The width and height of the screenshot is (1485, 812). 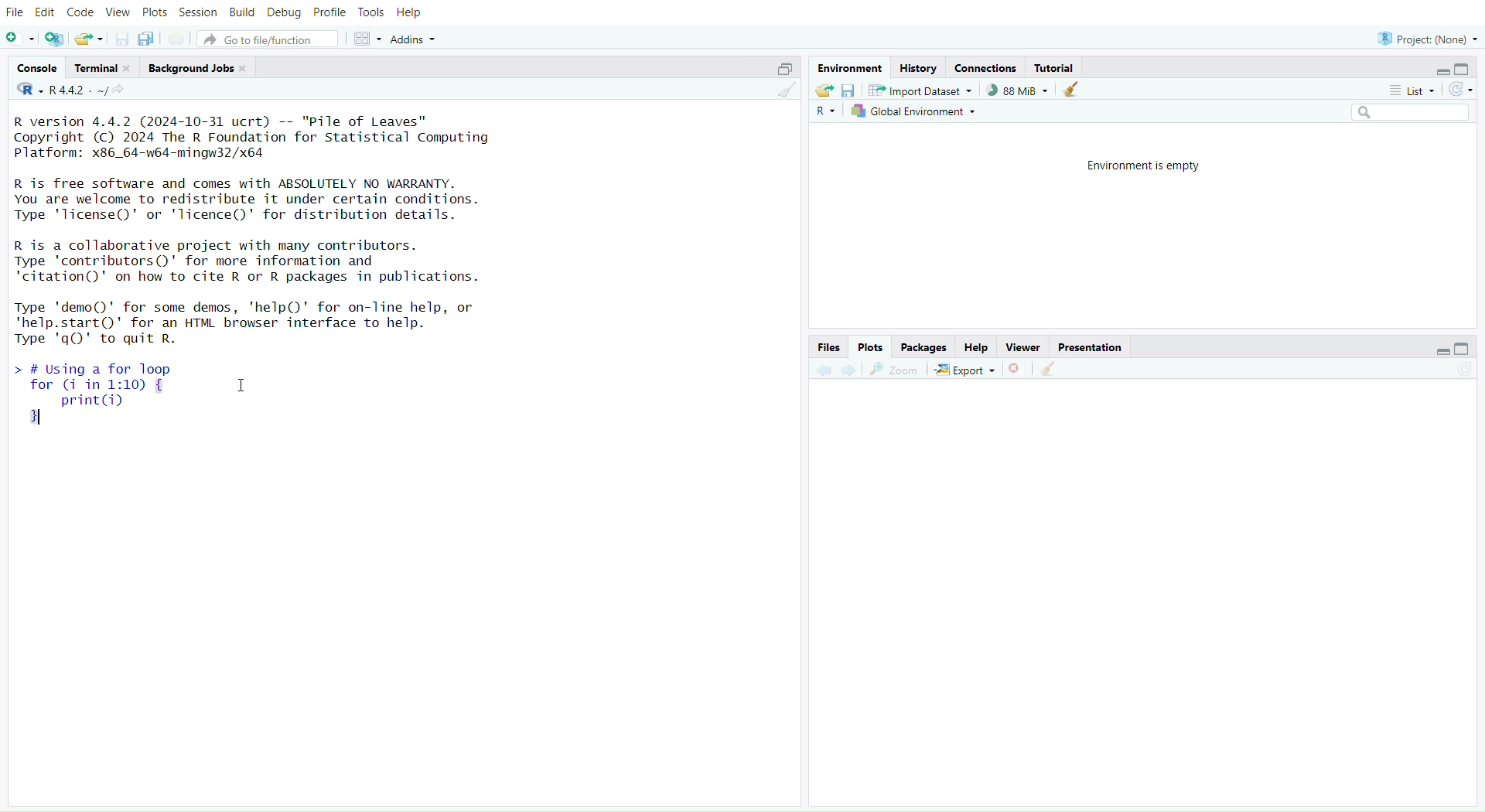 I want to click on profile, so click(x=329, y=12).